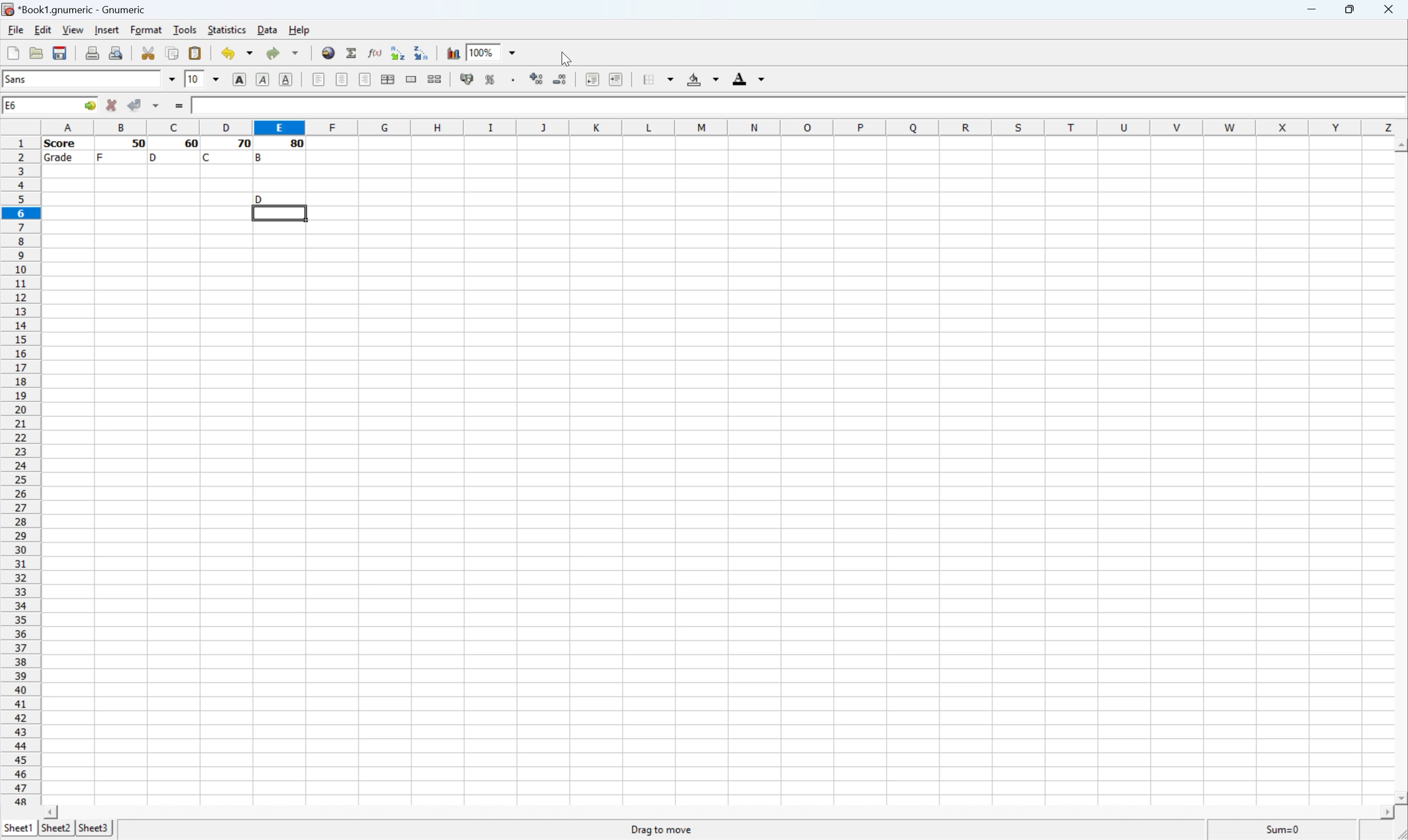  What do you see at coordinates (511, 54) in the screenshot?
I see `Drop Down` at bounding box center [511, 54].